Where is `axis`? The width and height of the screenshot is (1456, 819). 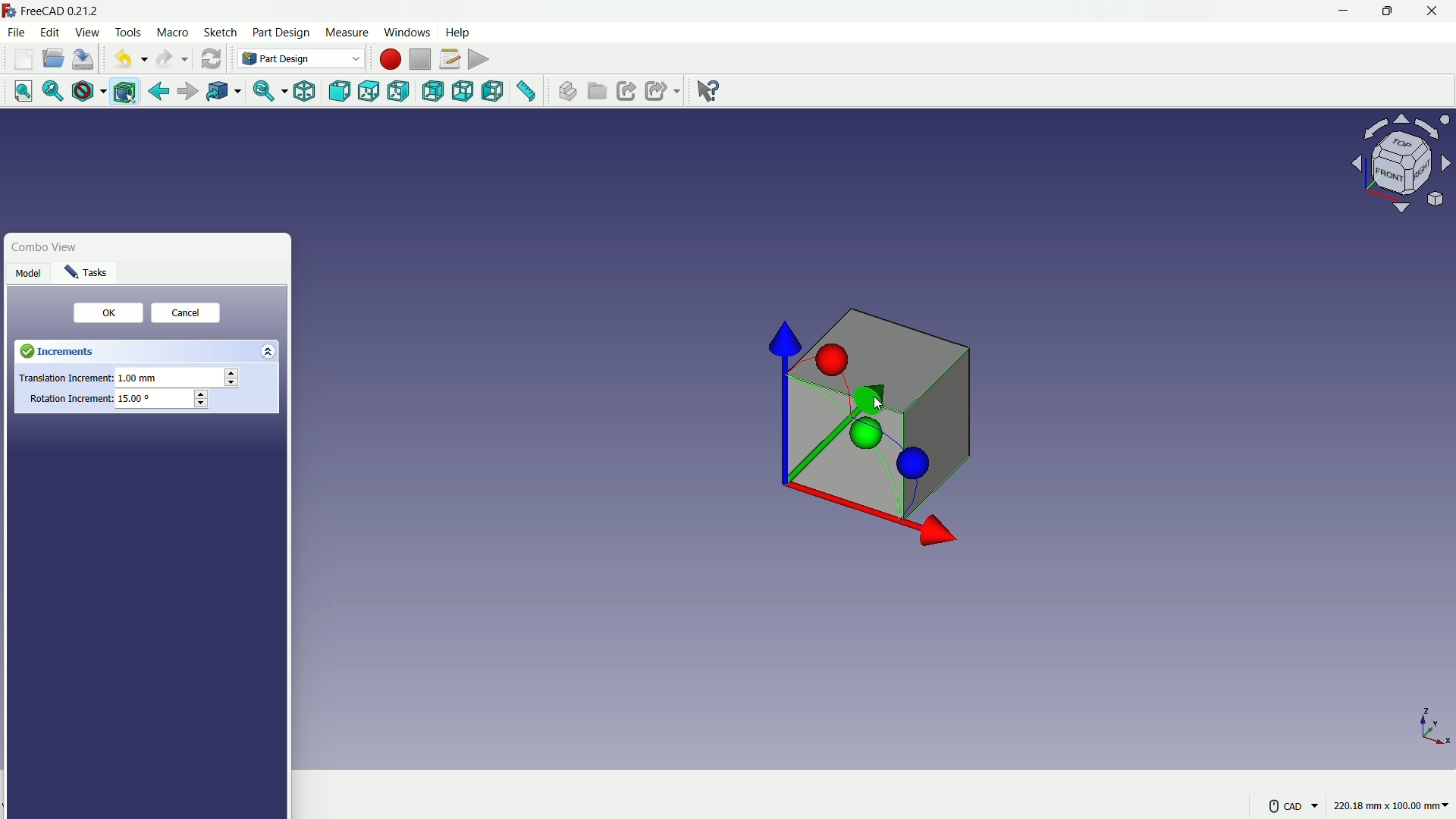 axis is located at coordinates (1435, 726).